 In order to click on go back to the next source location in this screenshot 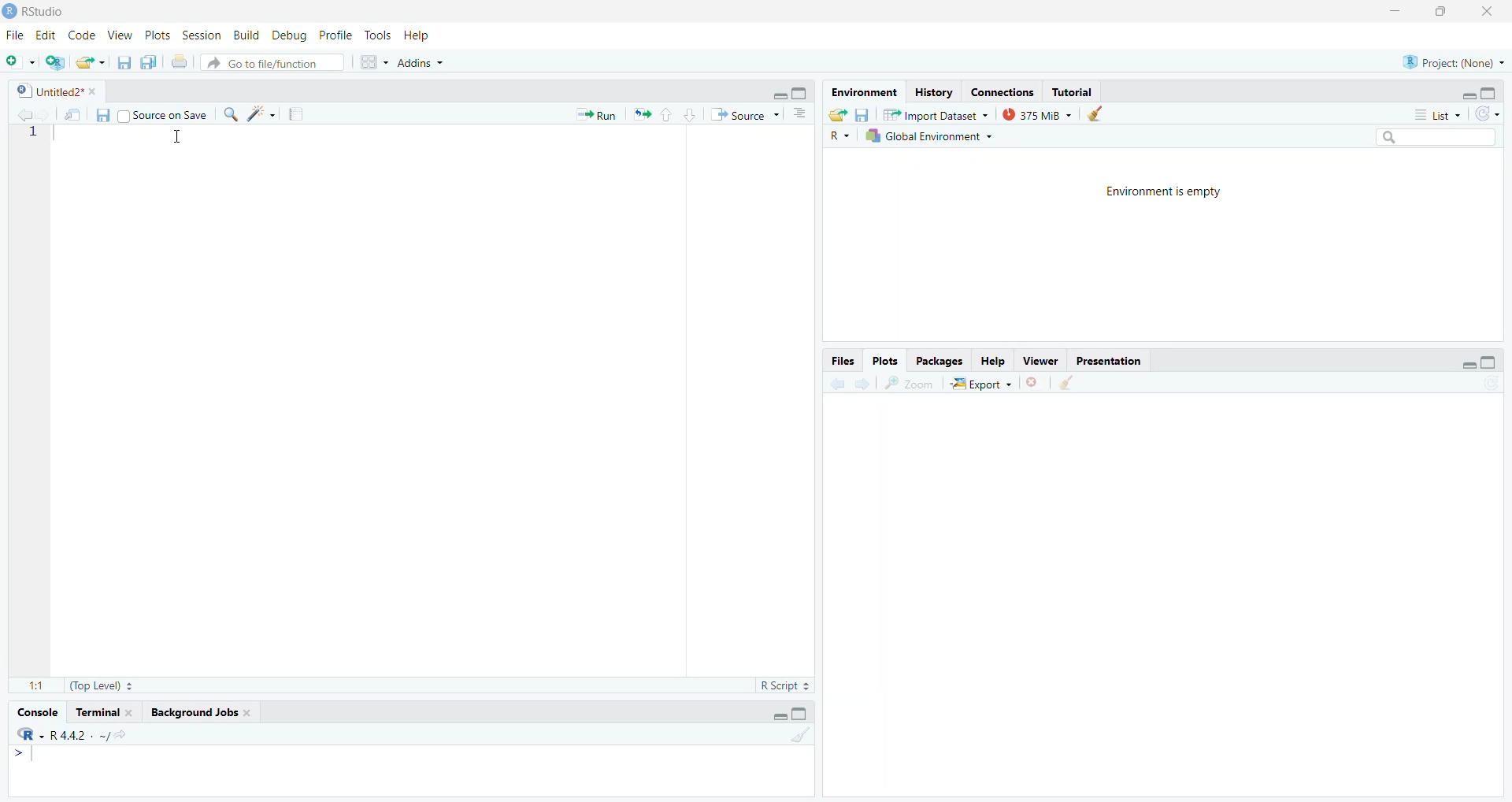, I will do `click(45, 115)`.